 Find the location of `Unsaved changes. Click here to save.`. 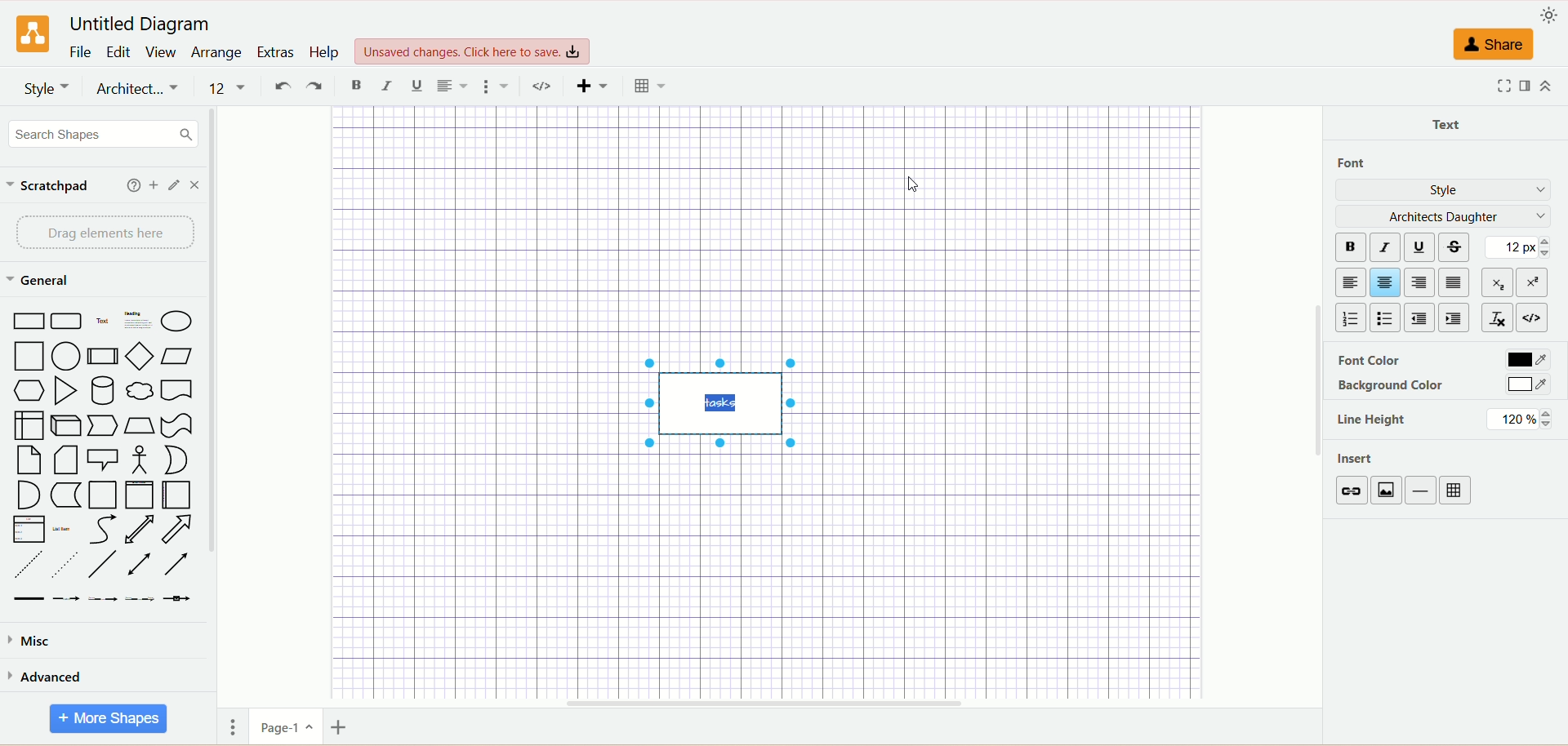

Unsaved changes. Click here to save. is located at coordinates (473, 52).